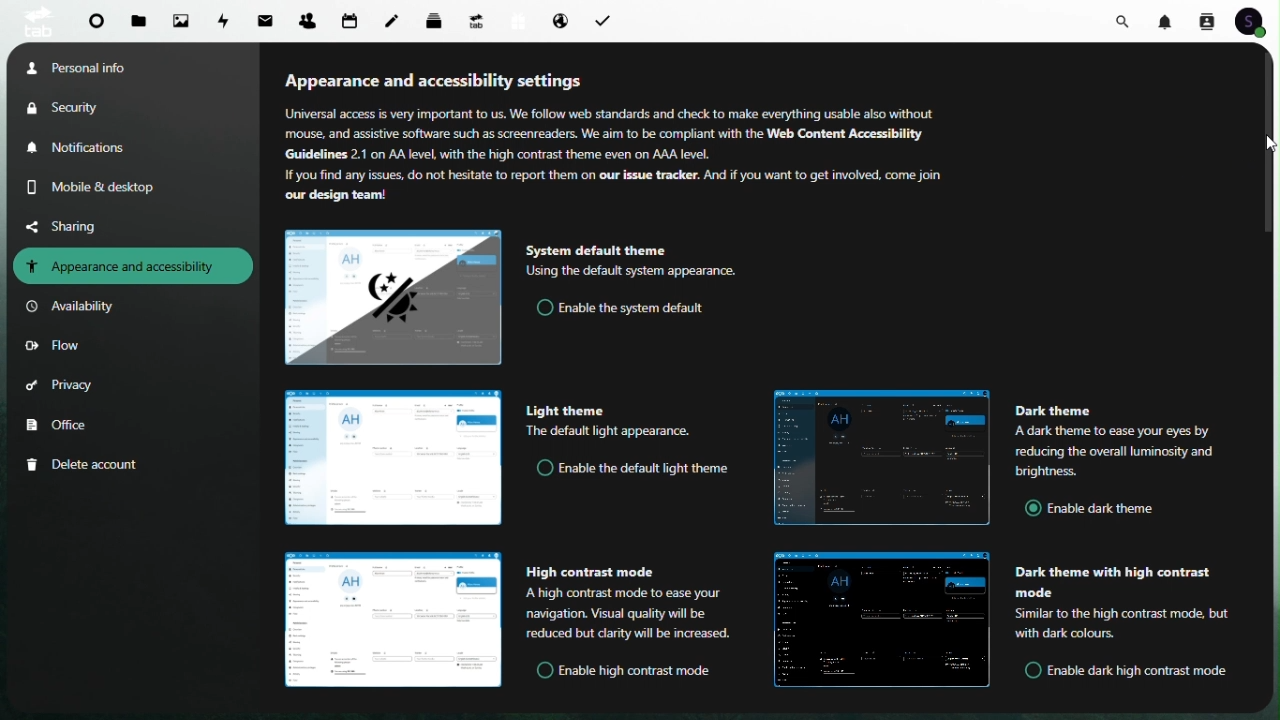  What do you see at coordinates (269, 18) in the screenshot?
I see `mail` at bounding box center [269, 18].